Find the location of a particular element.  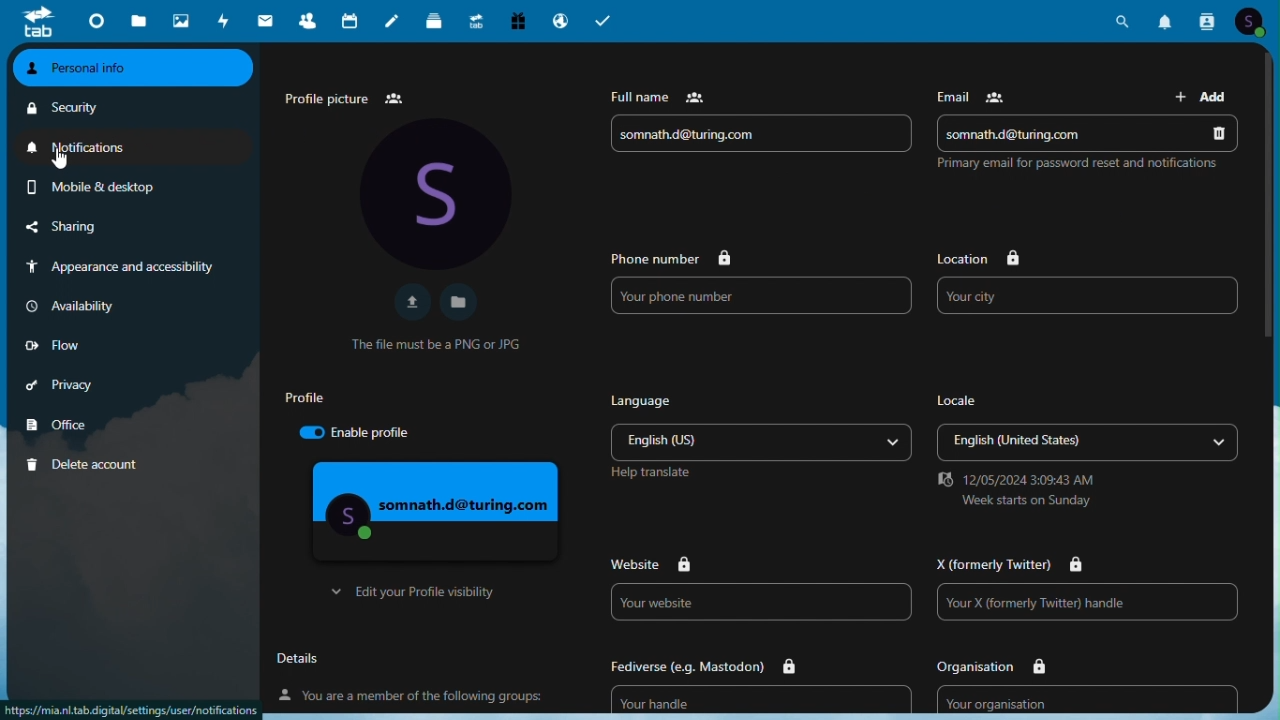

date and time is located at coordinates (1035, 492).